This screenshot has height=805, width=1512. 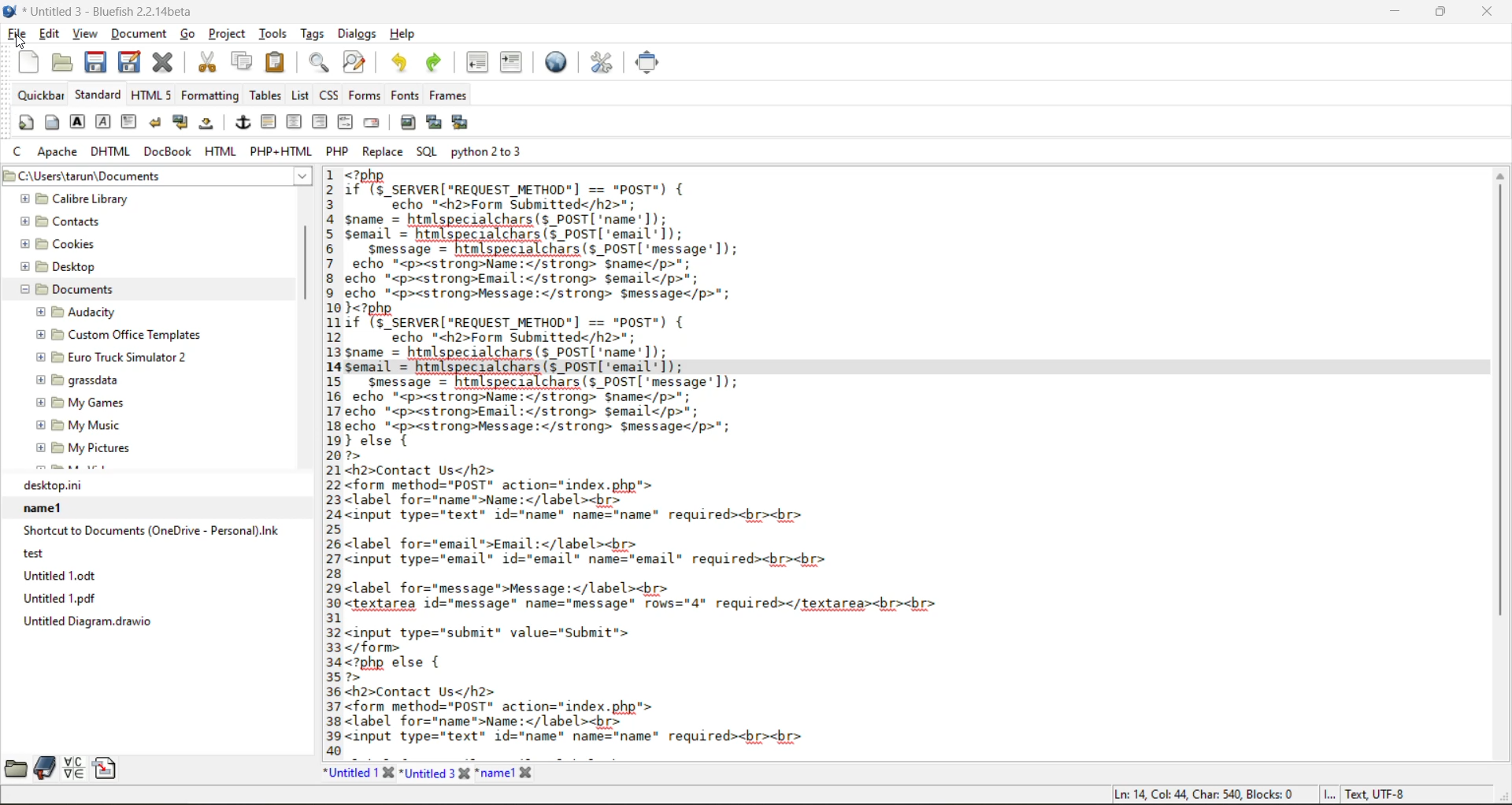 I want to click on php + html, so click(x=282, y=154).